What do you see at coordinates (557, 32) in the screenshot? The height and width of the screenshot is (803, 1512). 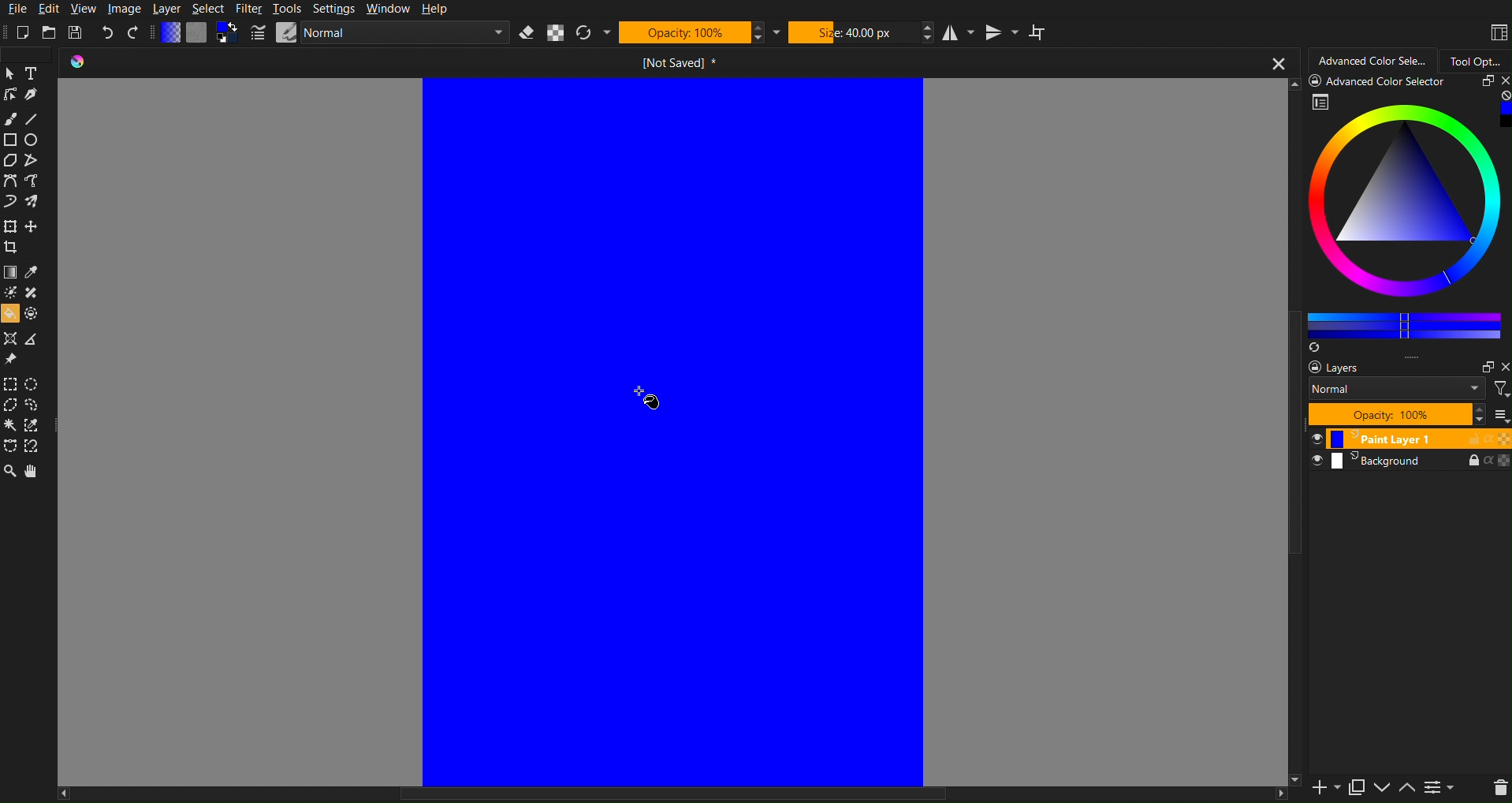 I see `Alpha` at bounding box center [557, 32].